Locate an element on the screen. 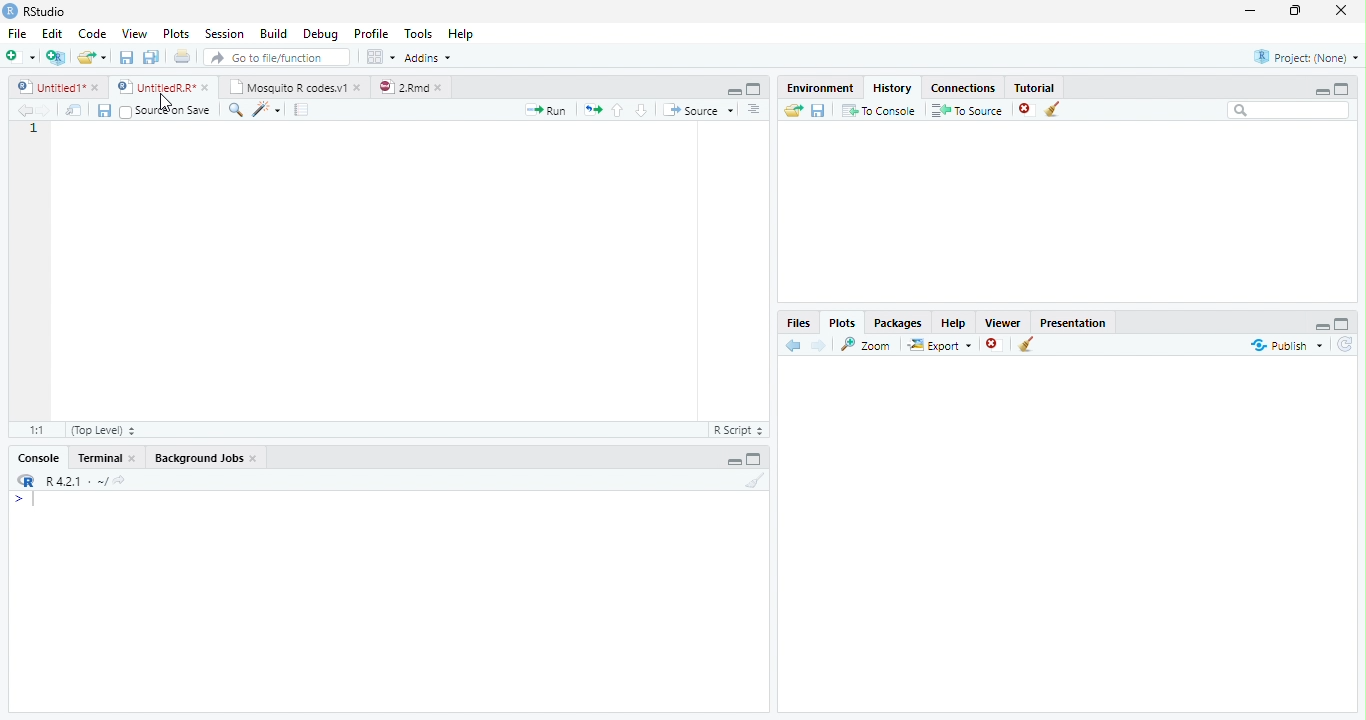 The image size is (1366, 720). Edit is located at coordinates (53, 31).